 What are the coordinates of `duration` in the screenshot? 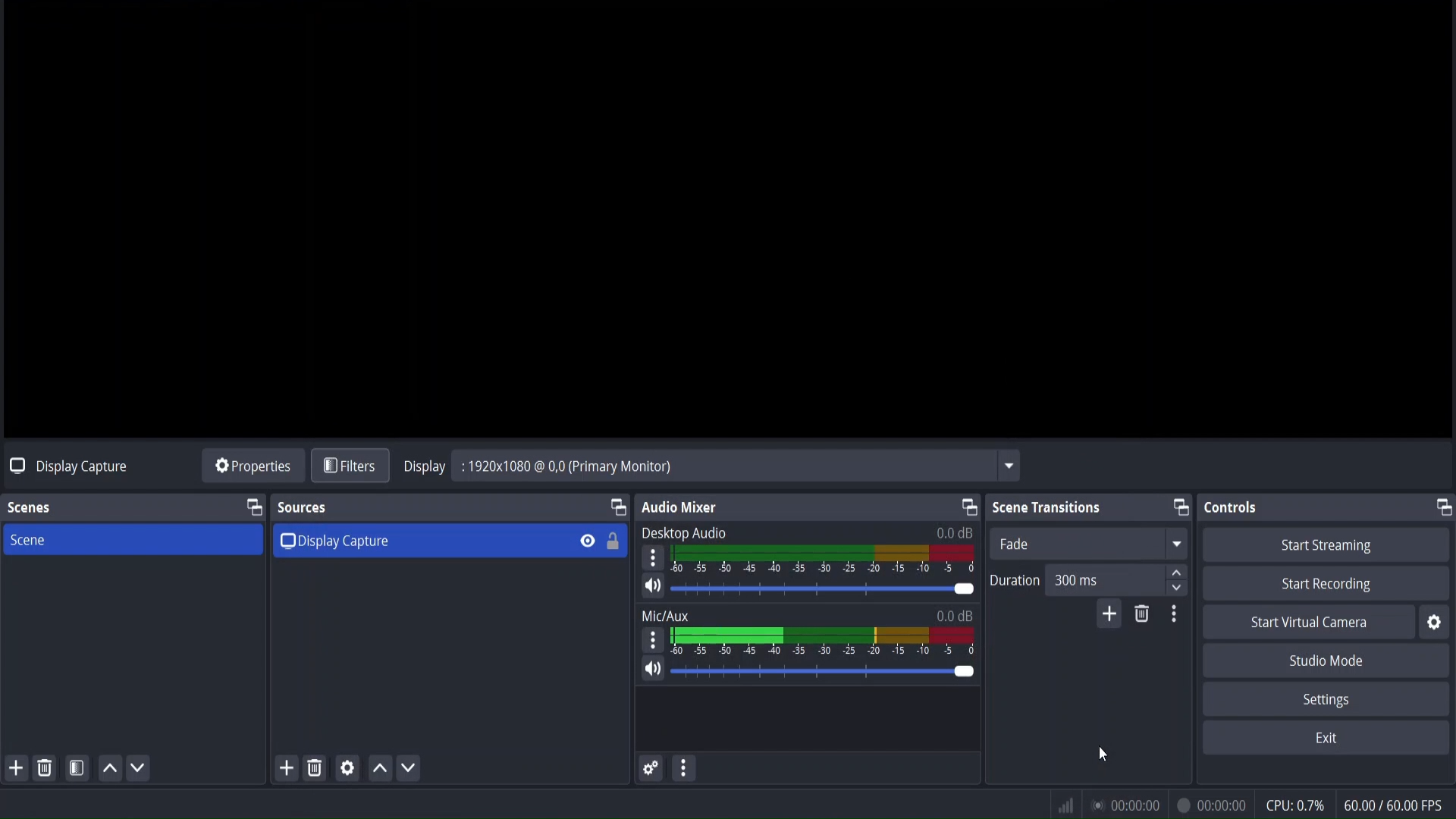 It's located at (1077, 582).